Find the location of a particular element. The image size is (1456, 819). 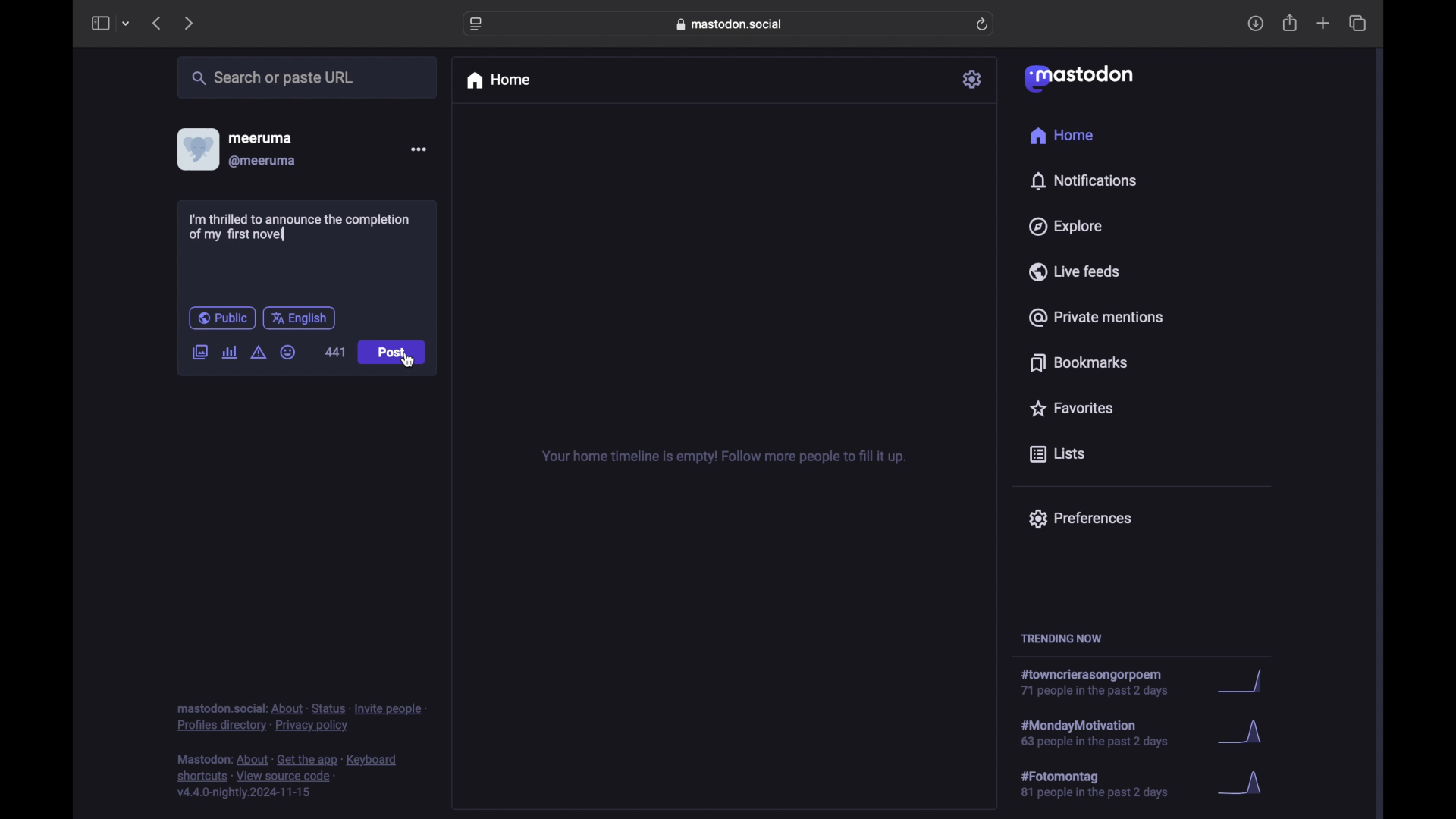

hashtag trend is located at coordinates (1100, 682).